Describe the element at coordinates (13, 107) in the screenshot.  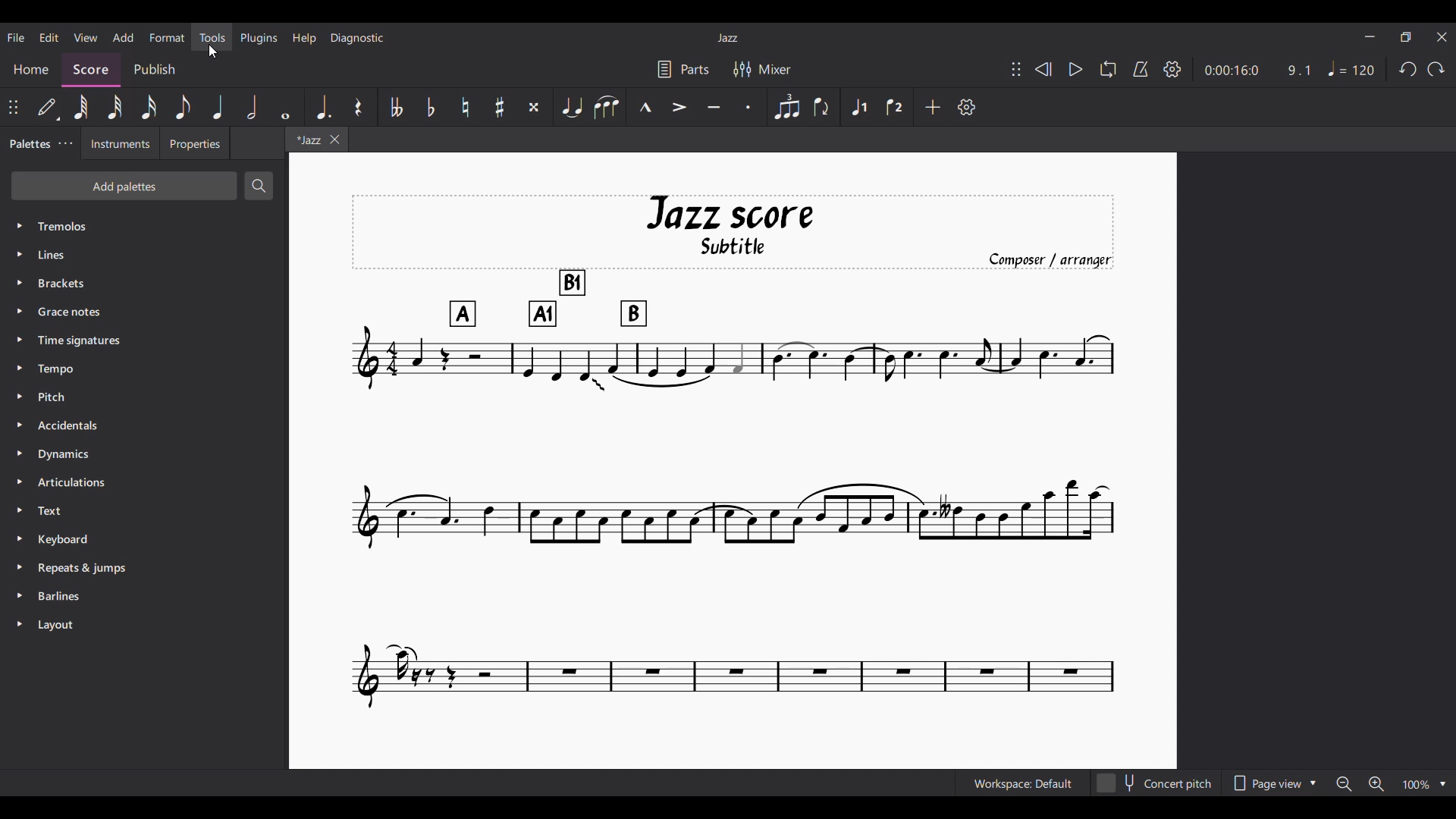
I see `Change position` at that location.